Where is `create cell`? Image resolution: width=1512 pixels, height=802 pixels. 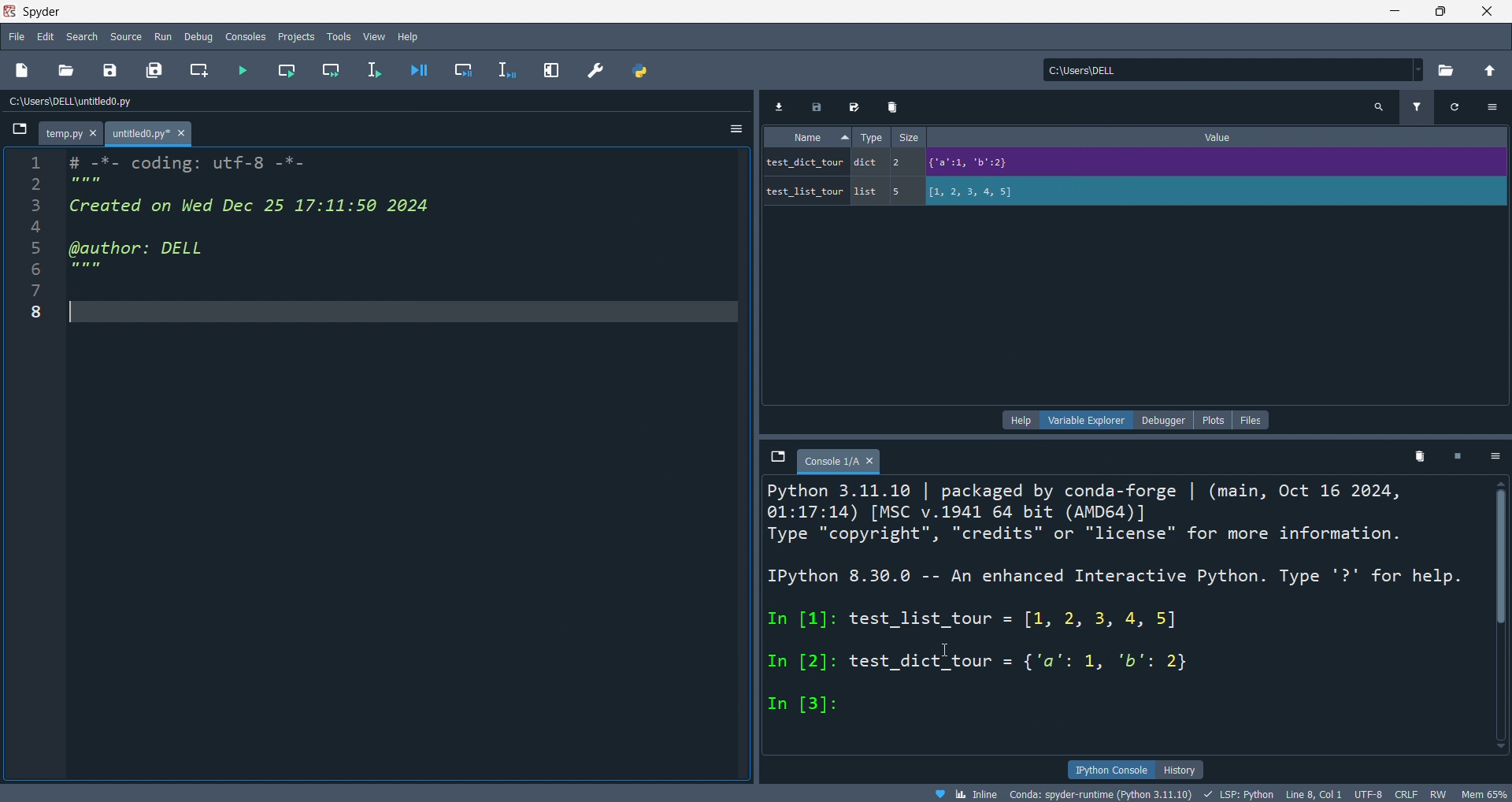 create cell is located at coordinates (200, 71).